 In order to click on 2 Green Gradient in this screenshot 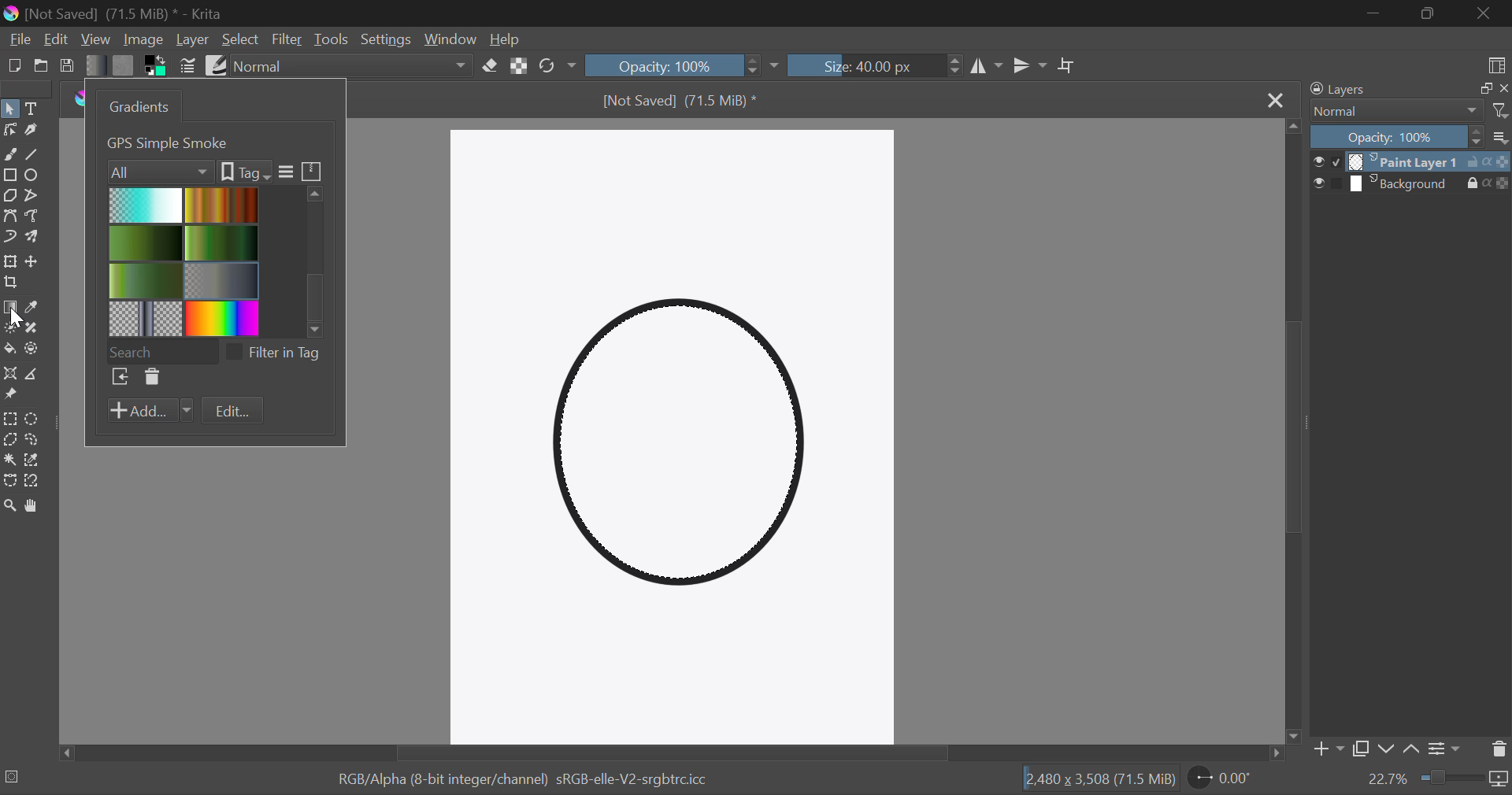, I will do `click(148, 245)`.